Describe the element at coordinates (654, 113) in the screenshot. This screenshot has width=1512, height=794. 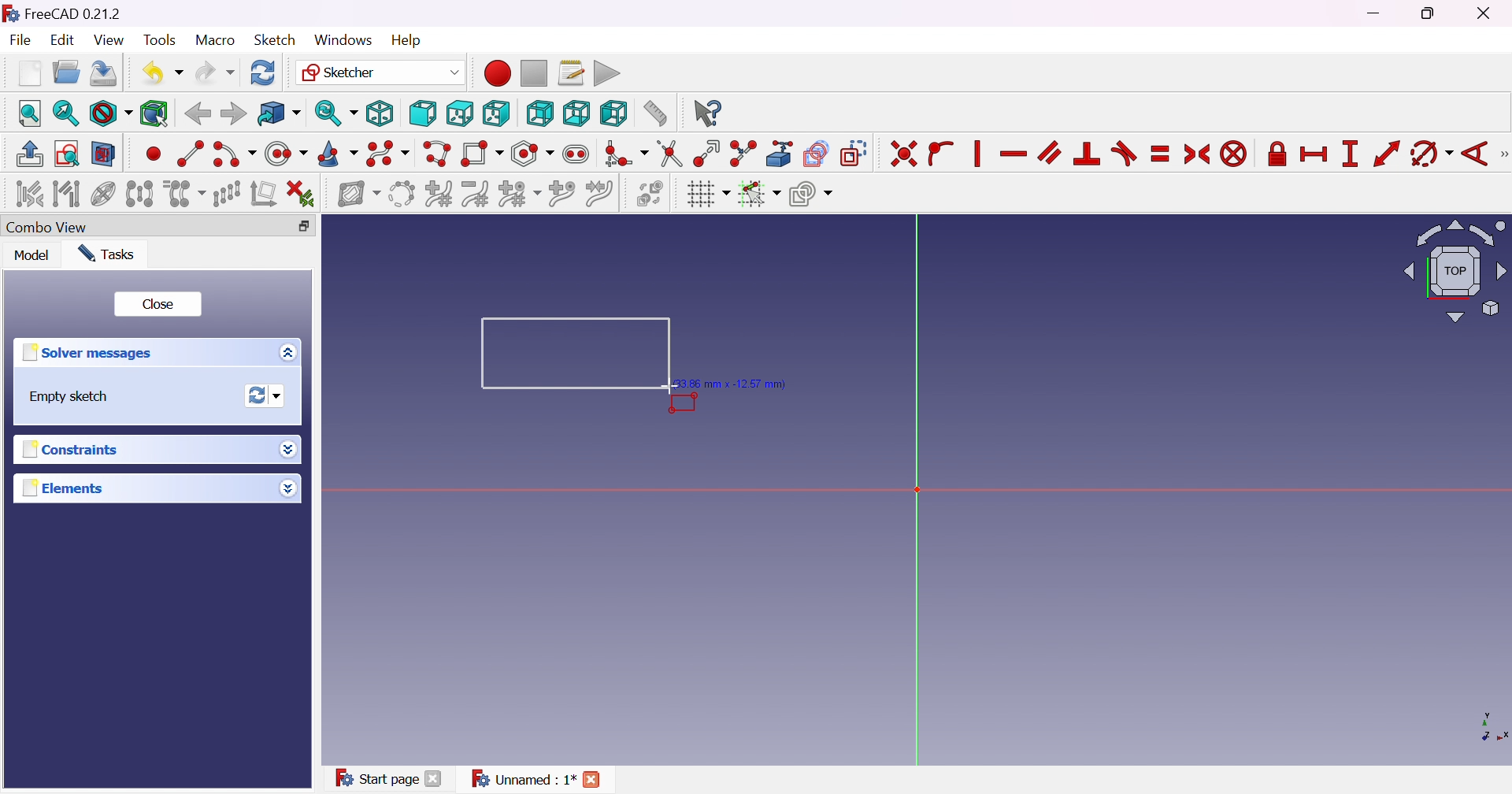
I see `Measure distance` at that location.